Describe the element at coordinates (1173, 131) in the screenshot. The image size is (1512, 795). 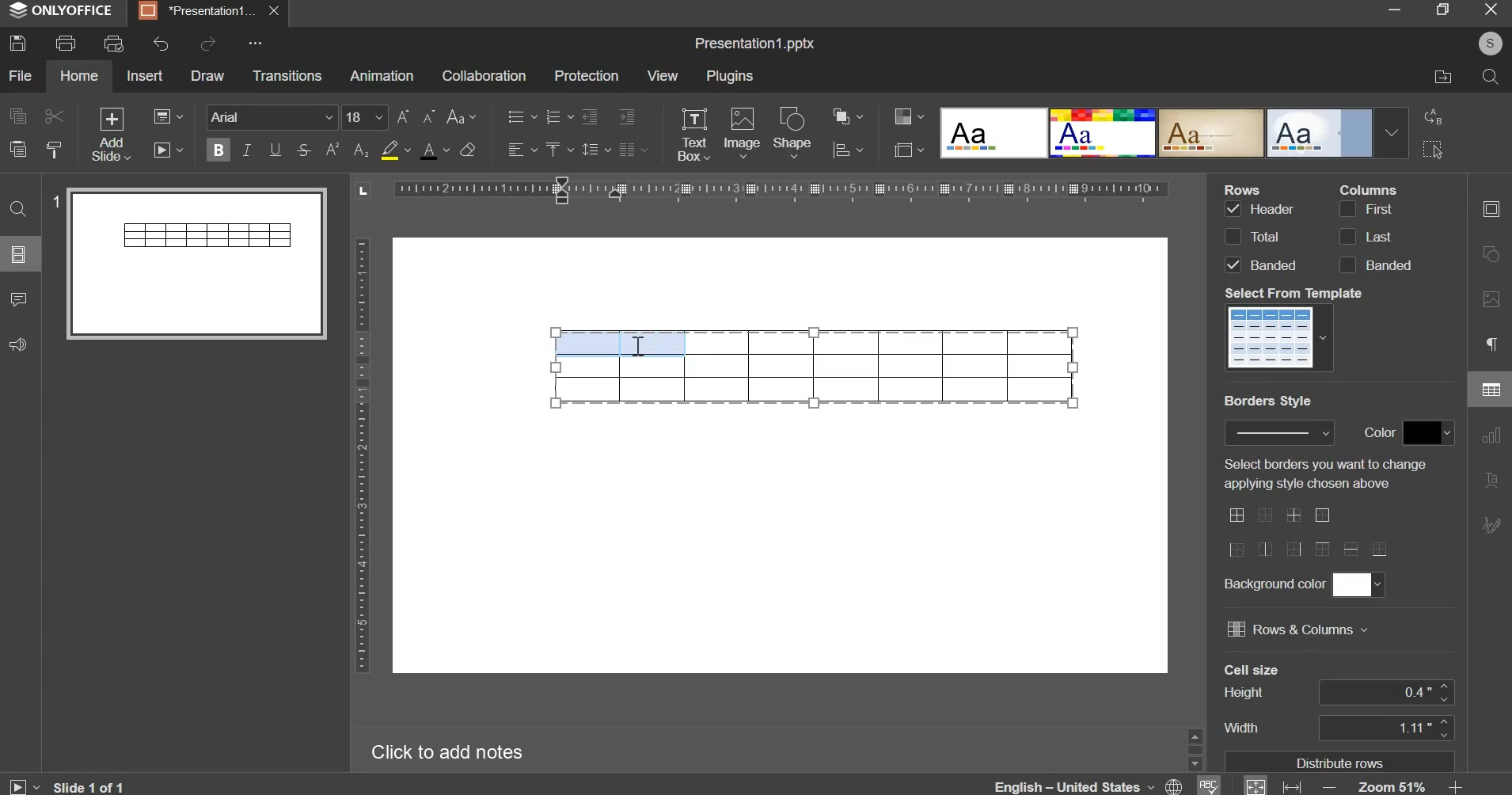
I see `design` at that location.